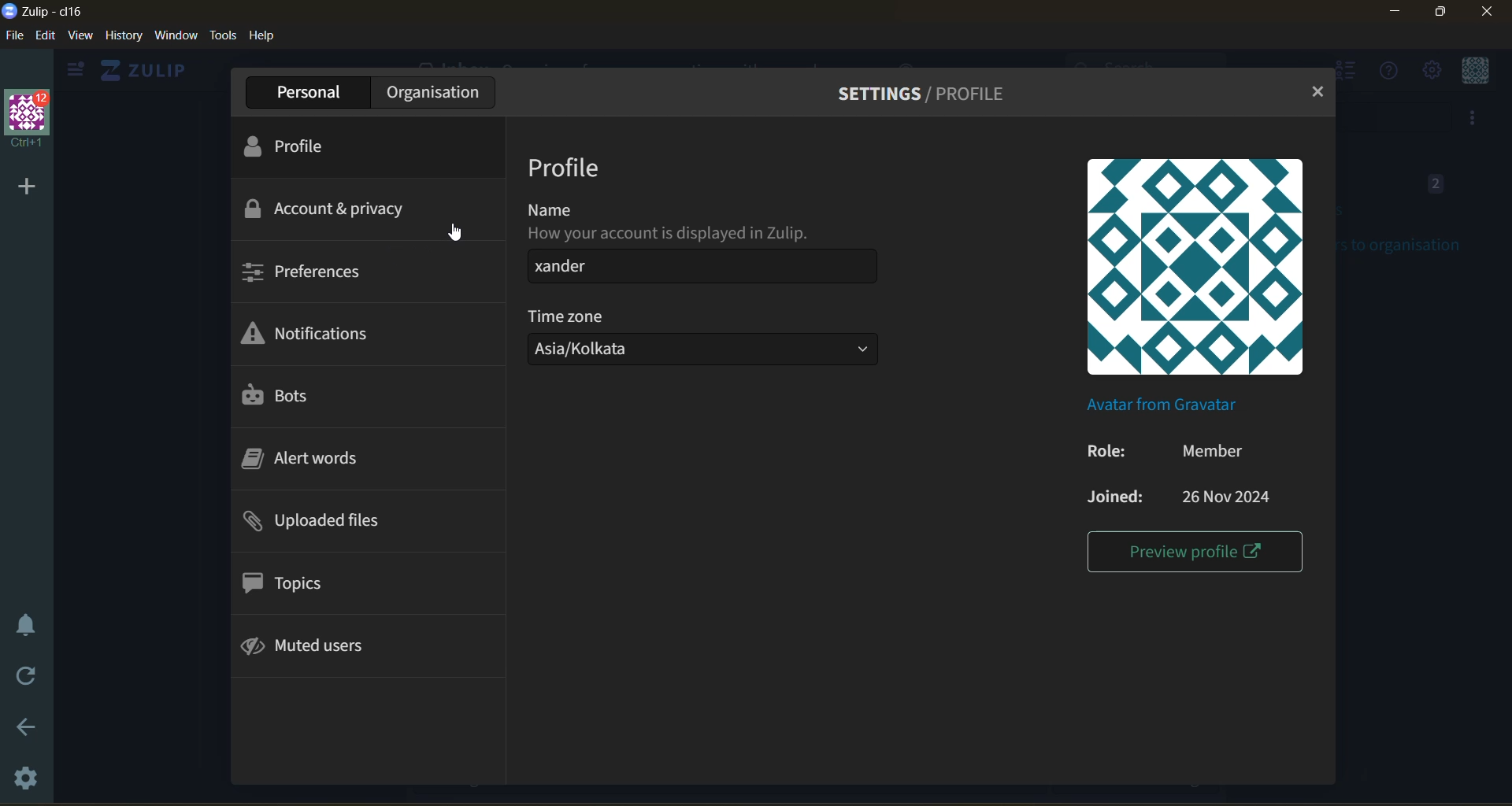  What do you see at coordinates (1397, 14) in the screenshot?
I see `minimize` at bounding box center [1397, 14].